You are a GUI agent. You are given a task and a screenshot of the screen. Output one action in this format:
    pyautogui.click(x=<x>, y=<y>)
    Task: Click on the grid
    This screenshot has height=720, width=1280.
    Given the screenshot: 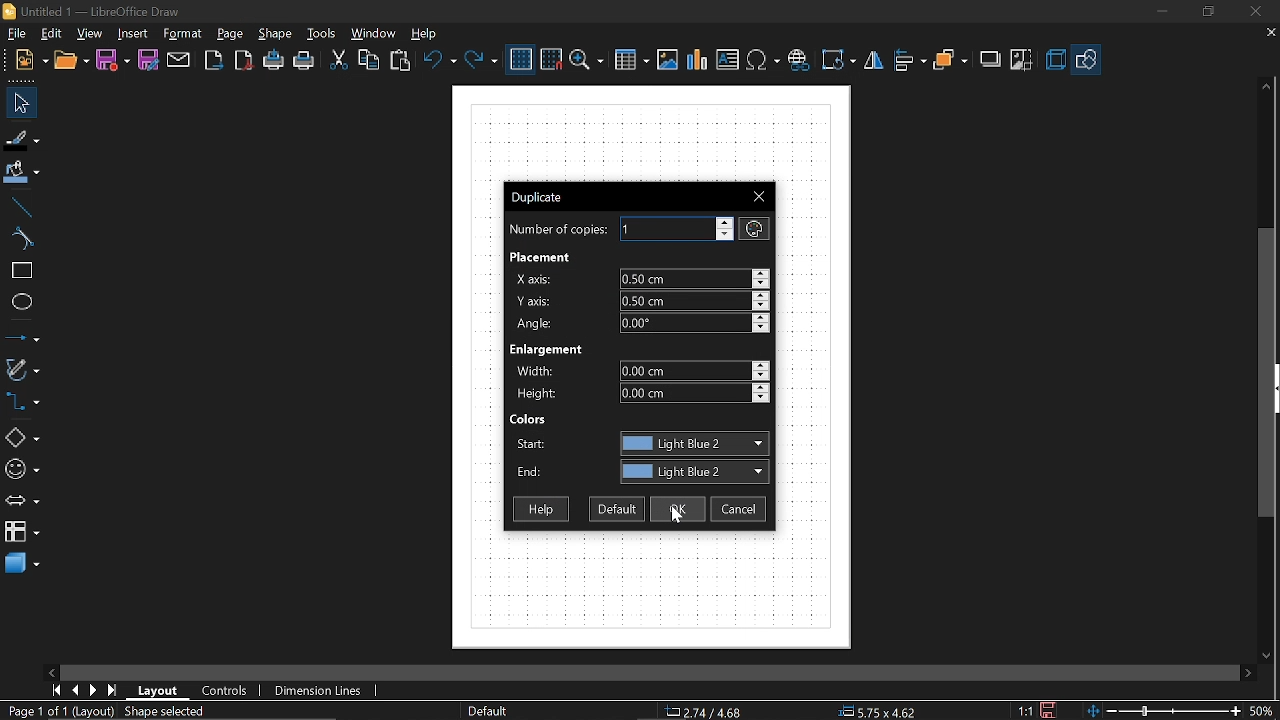 What is the action you would take?
    pyautogui.click(x=521, y=60)
    